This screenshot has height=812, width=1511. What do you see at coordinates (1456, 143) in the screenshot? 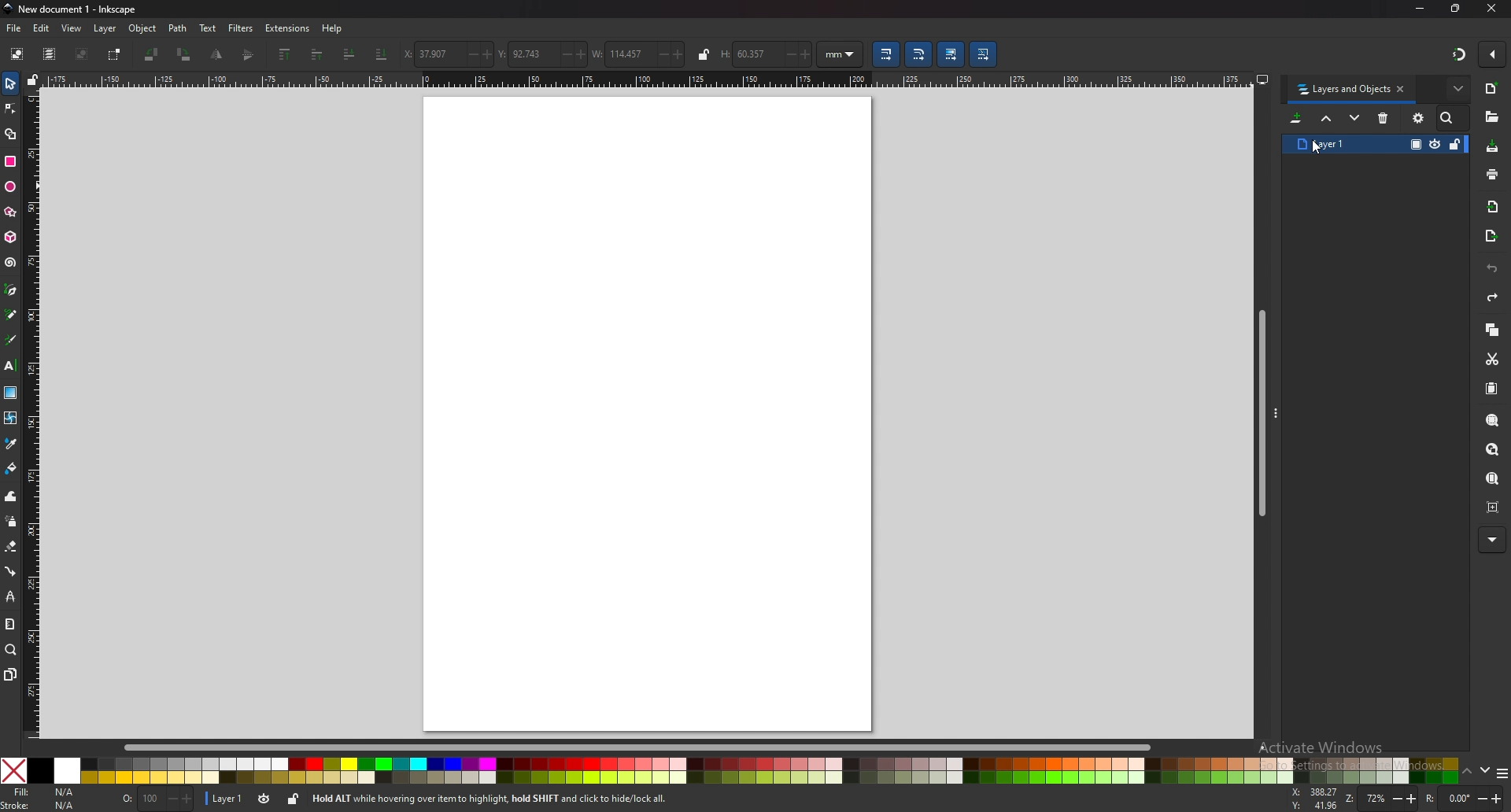
I see `lock` at bounding box center [1456, 143].